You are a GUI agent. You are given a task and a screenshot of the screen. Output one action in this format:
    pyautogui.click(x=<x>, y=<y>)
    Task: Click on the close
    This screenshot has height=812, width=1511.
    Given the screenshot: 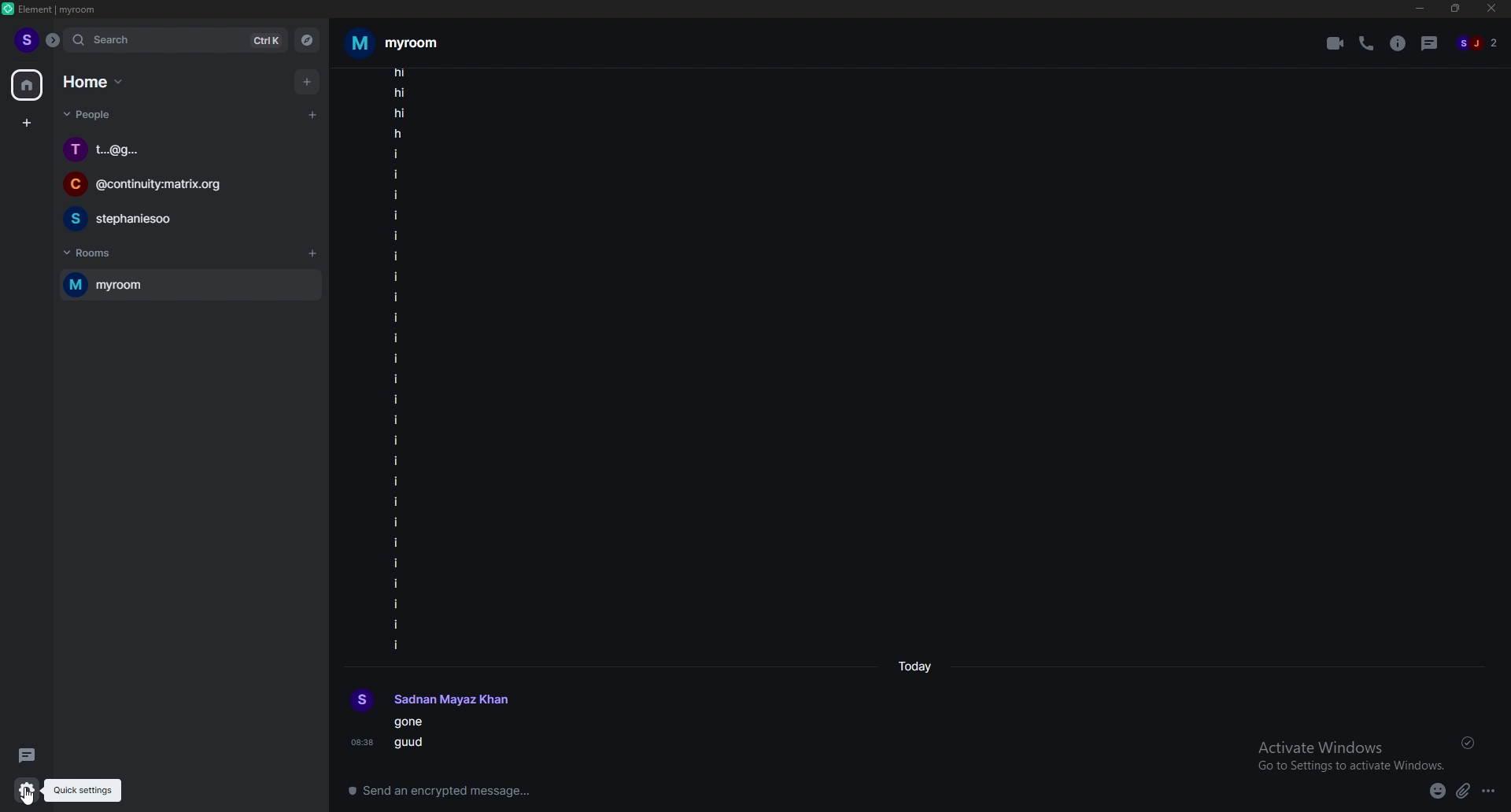 What is the action you would take?
    pyautogui.click(x=1491, y=10)
    